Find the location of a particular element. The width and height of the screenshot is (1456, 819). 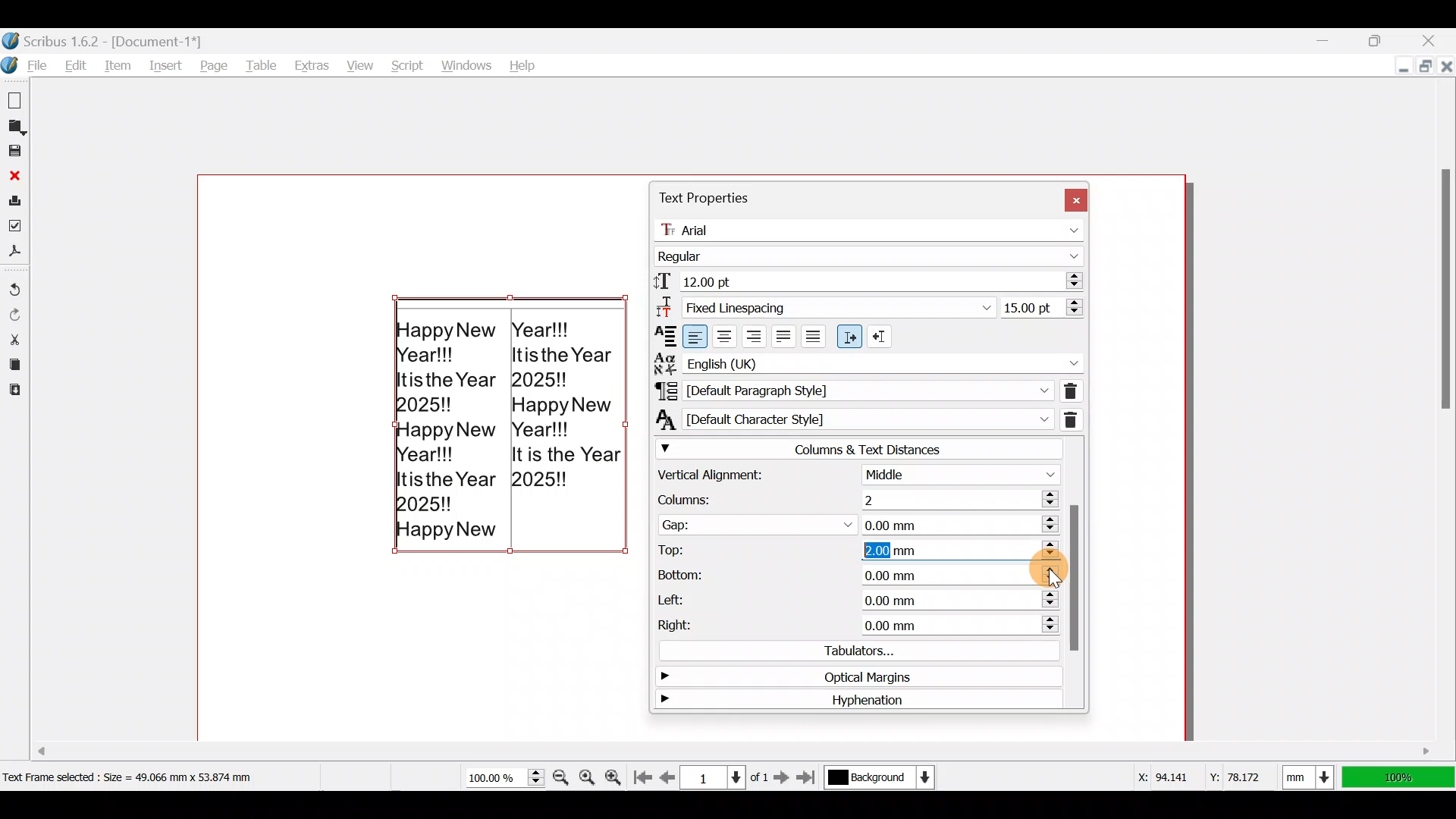

Save is located at coordinates (17, 152).